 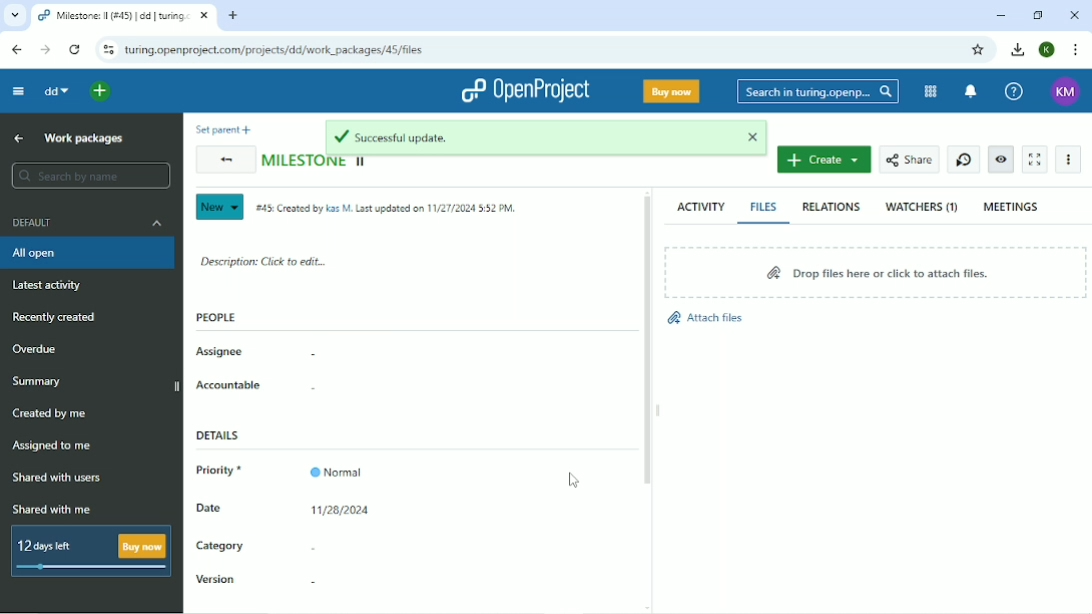 What do you see at coordinates (218, 207) in the screenshot?
I see `New` at bounding box center [218, 207].